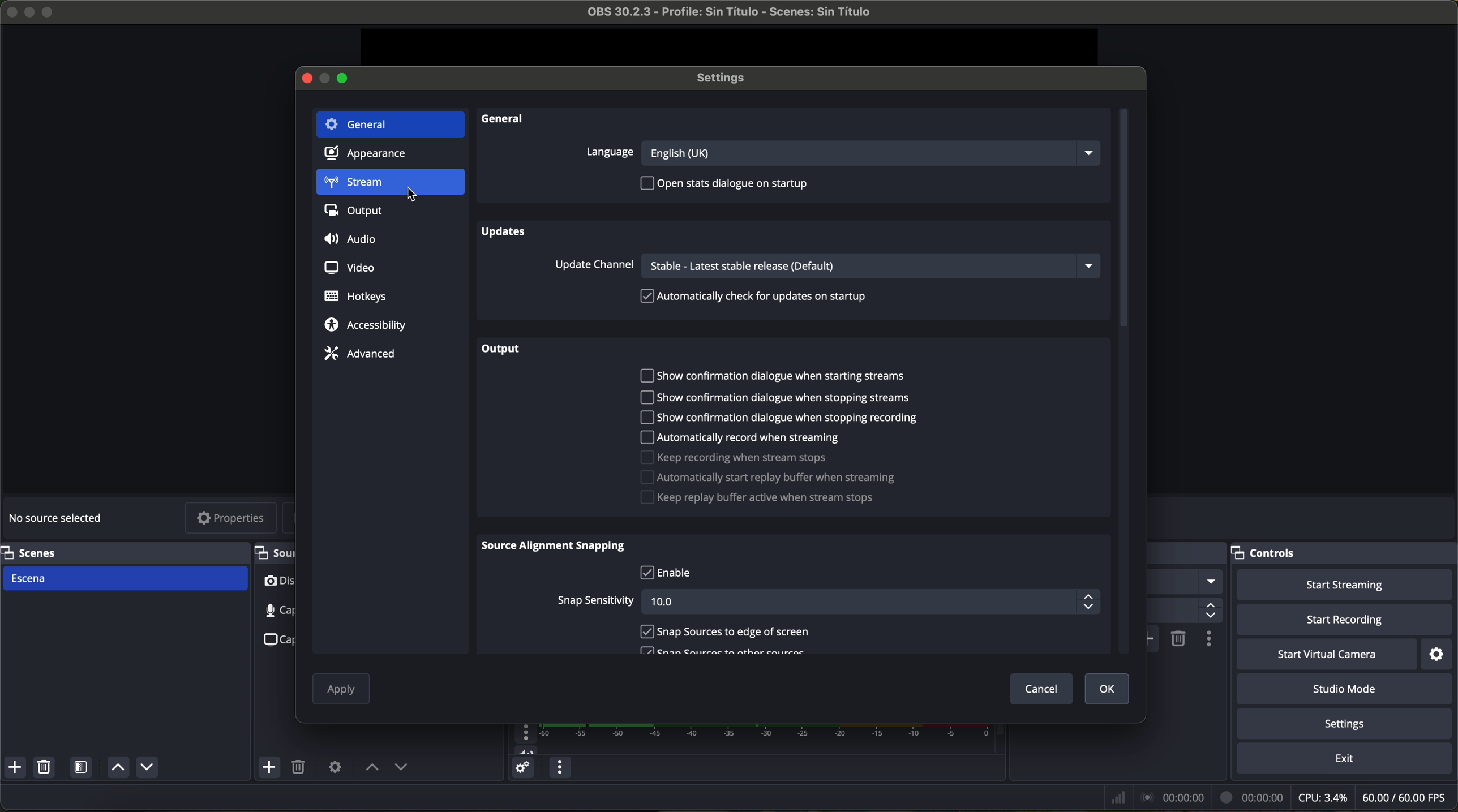  I want to click on audio, so click(353, 240).